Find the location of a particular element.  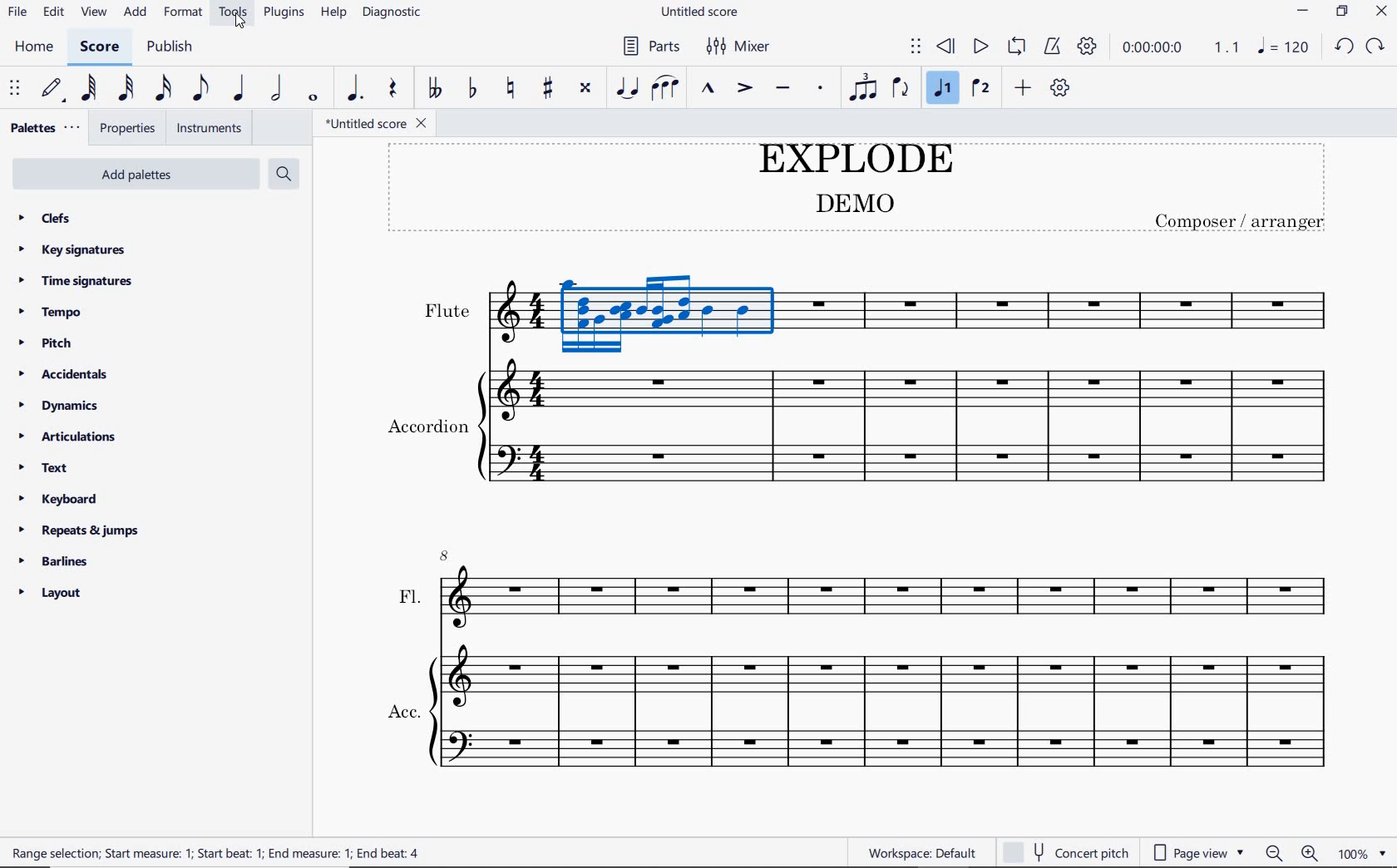

marcato is located at coordinates (707, 89).